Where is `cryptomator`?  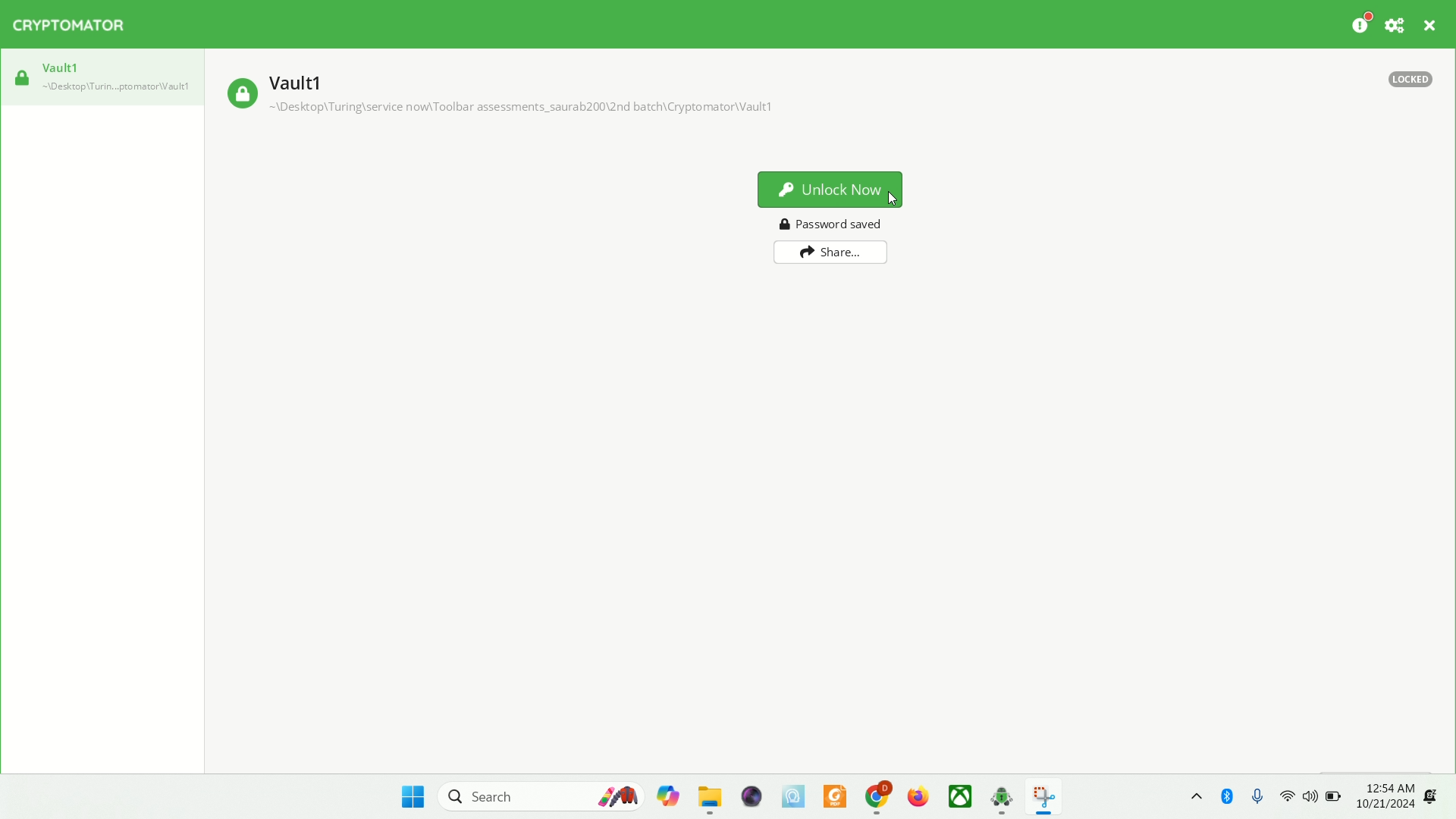
cryptomator is located at coordinates (76, 27).